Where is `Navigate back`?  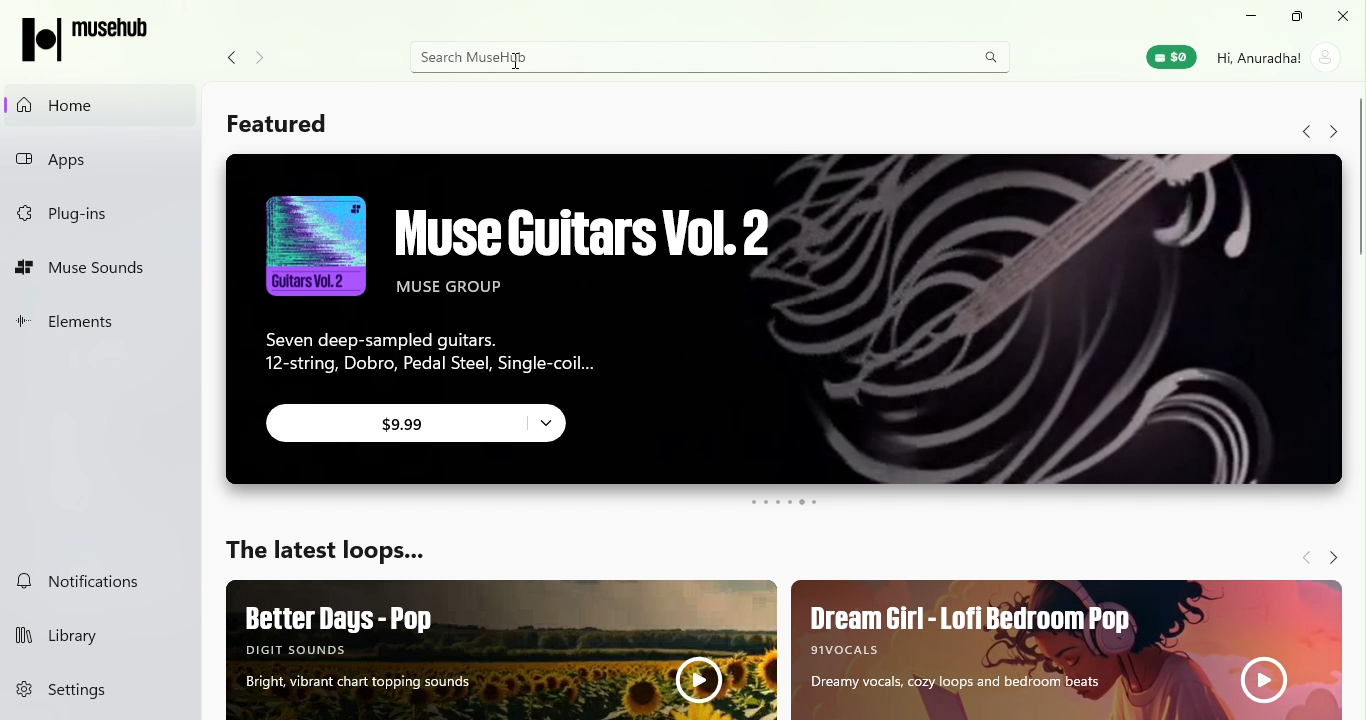 Navigate back is located at coordinates (1302, 132).